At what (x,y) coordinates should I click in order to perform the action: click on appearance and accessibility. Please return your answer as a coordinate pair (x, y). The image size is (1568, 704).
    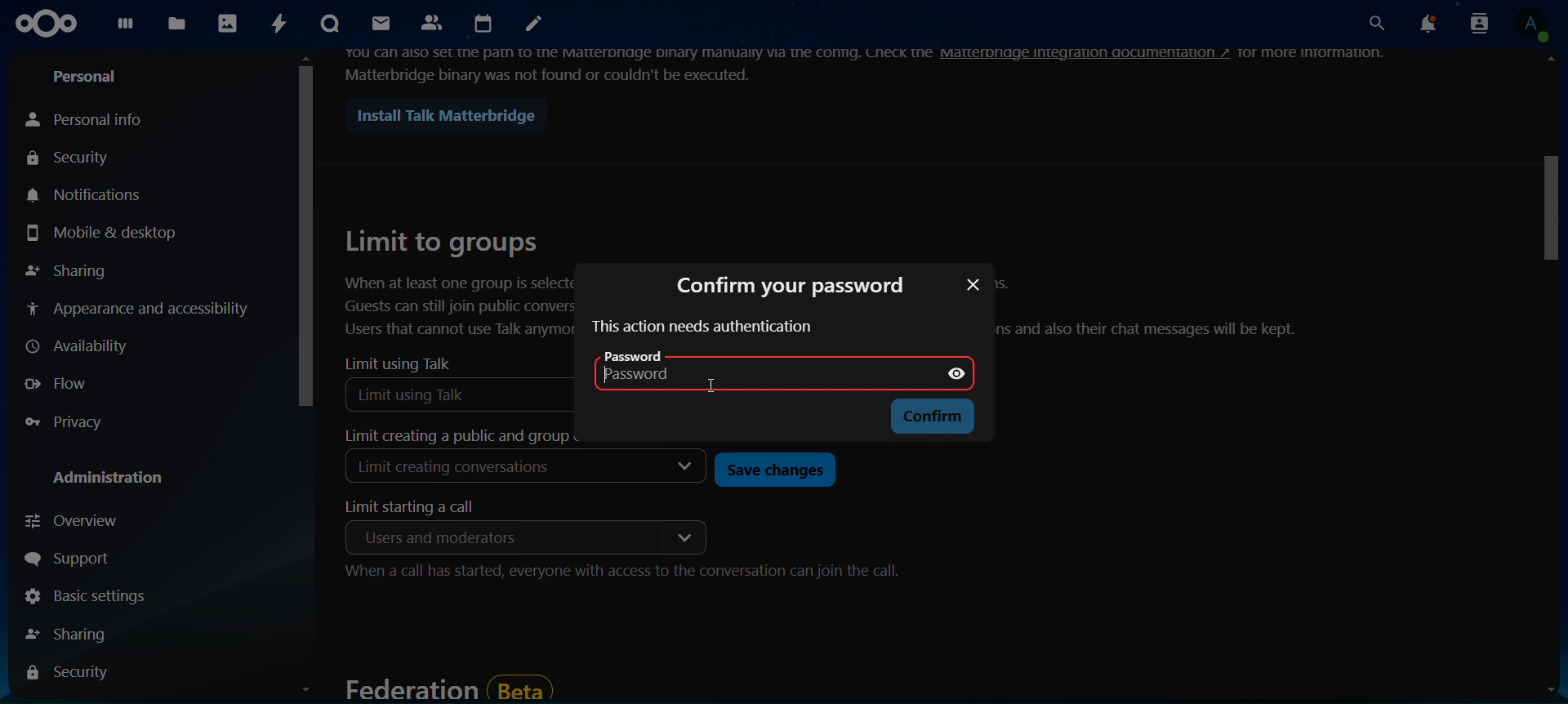
    Looking at the image, I should click on (138, 307).